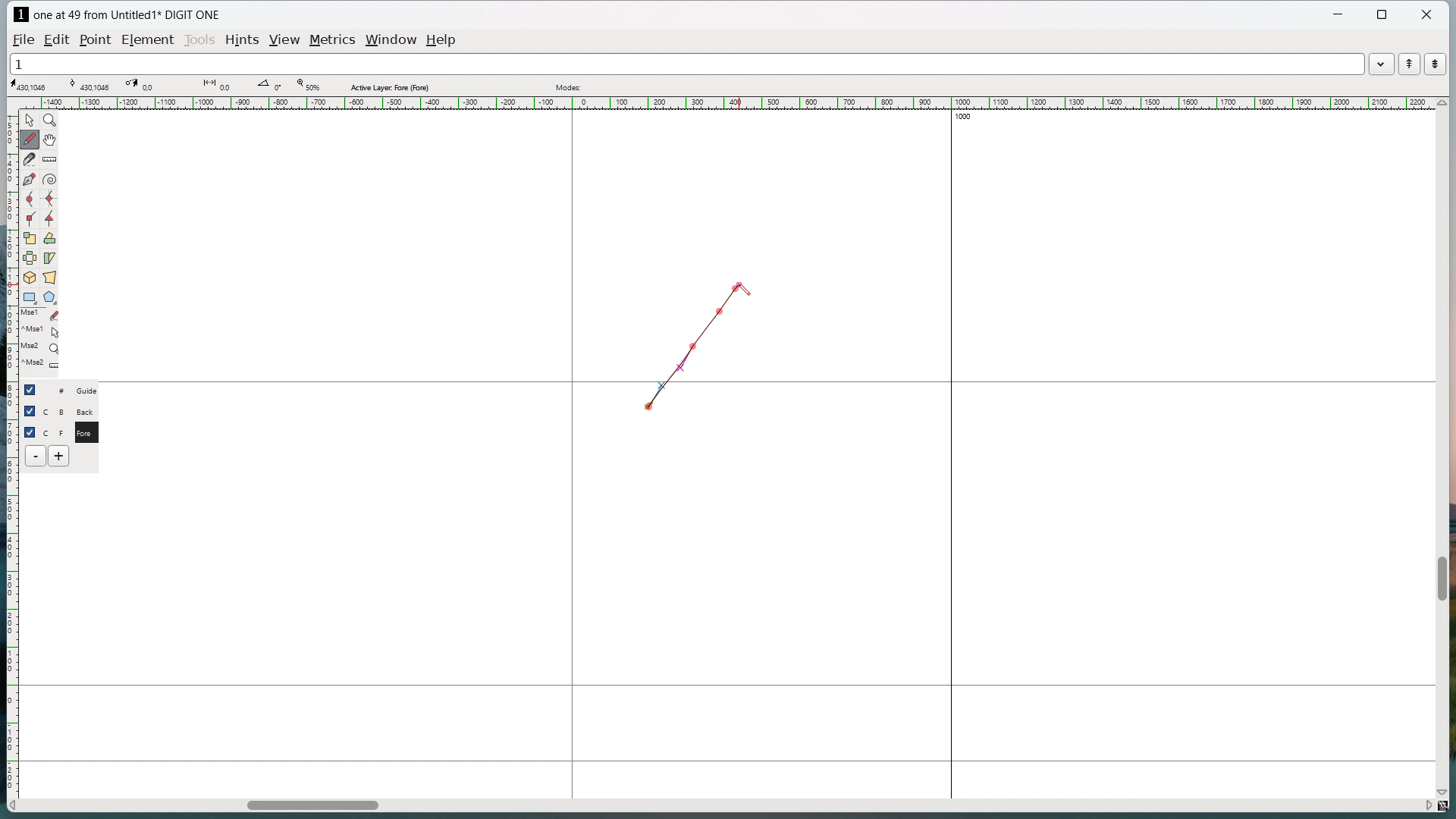  Describe the element at coordinates (570, 87) in the screenshot. I see `modes` at that location.